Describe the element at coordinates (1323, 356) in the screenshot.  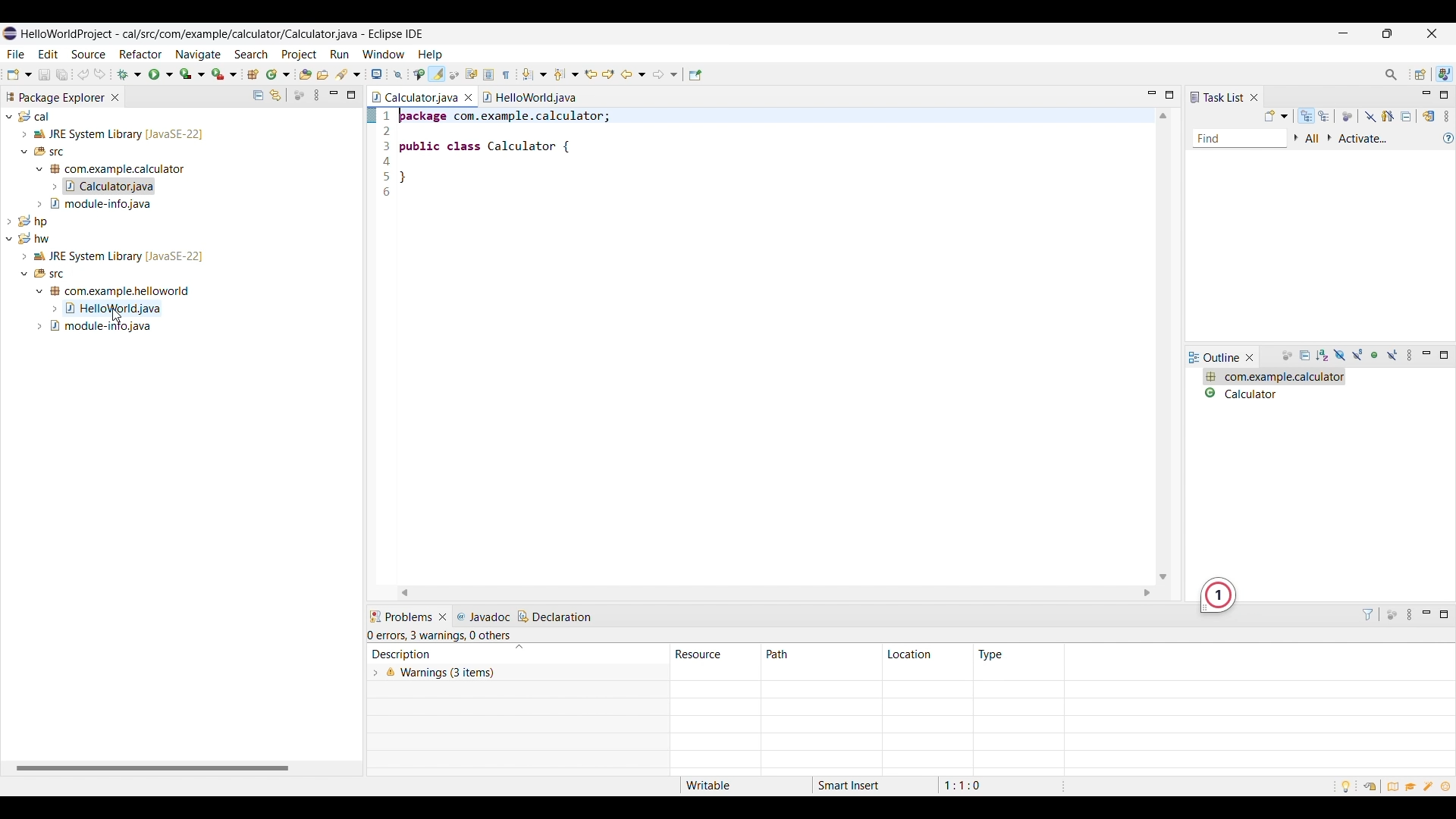
I see `Sort` at that location.